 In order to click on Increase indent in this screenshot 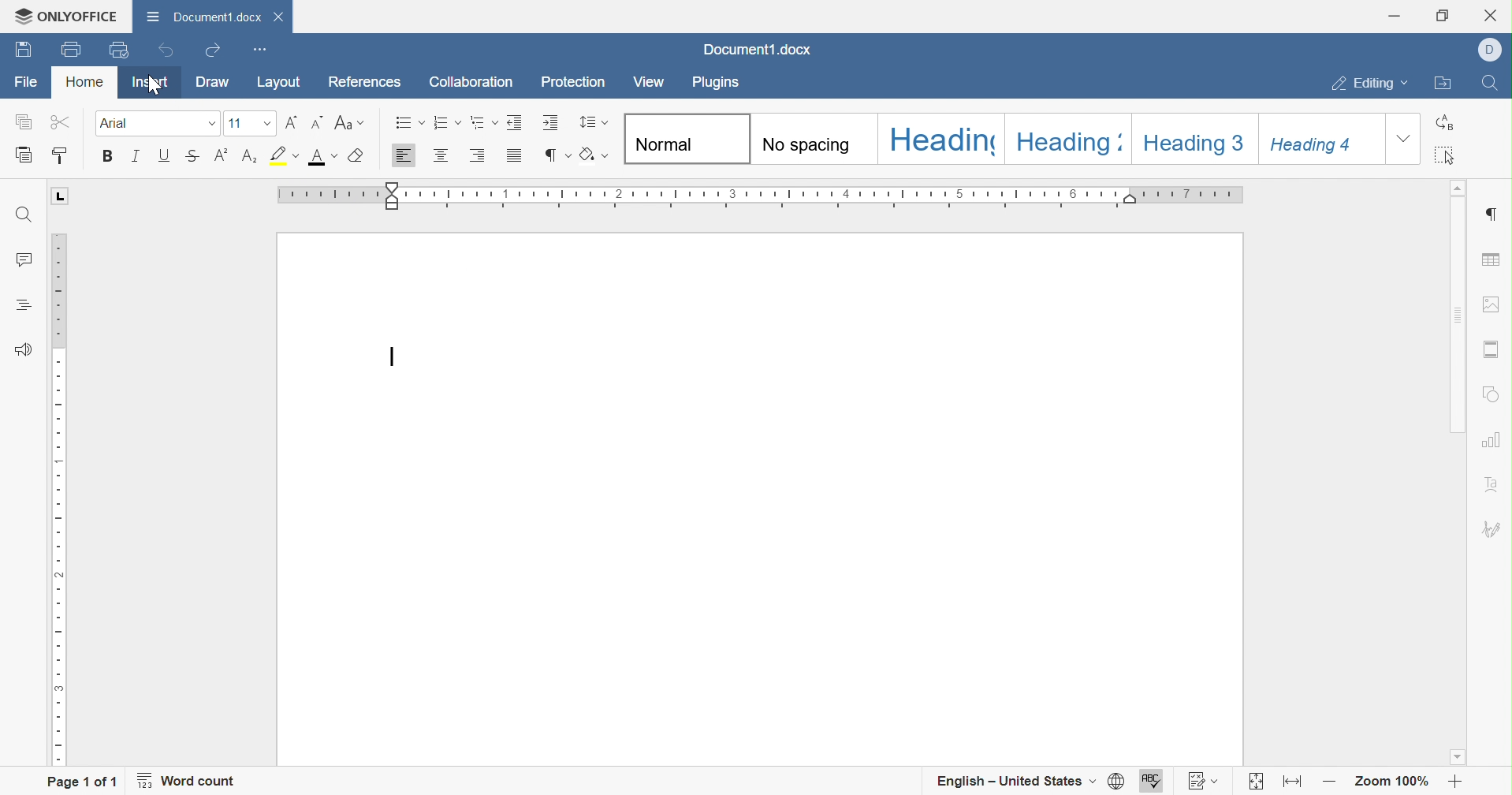, I will do `click(552, 122)`.